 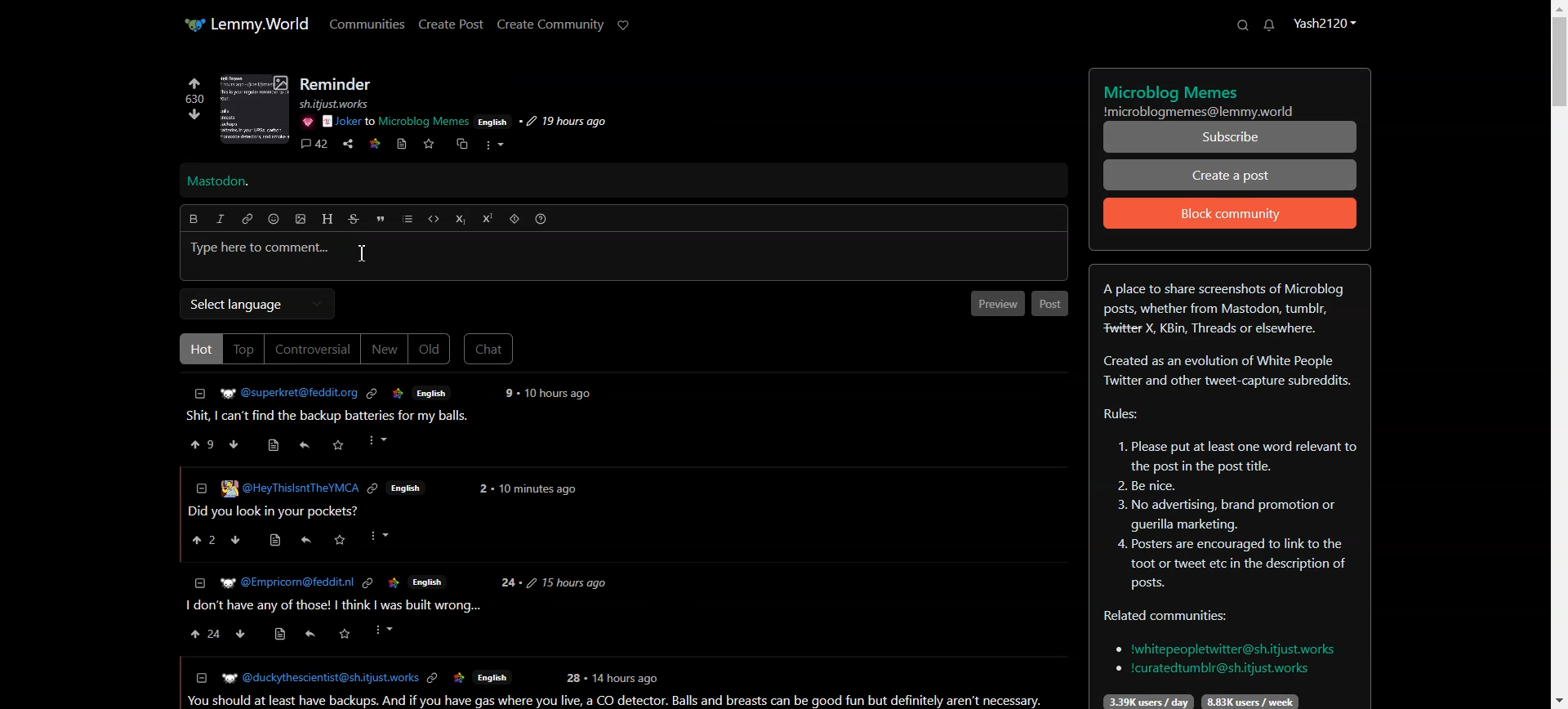 What do you see at coordinates (450, 24) in the screenshot?
I see `Create Post` at bounding box center [450, 24].